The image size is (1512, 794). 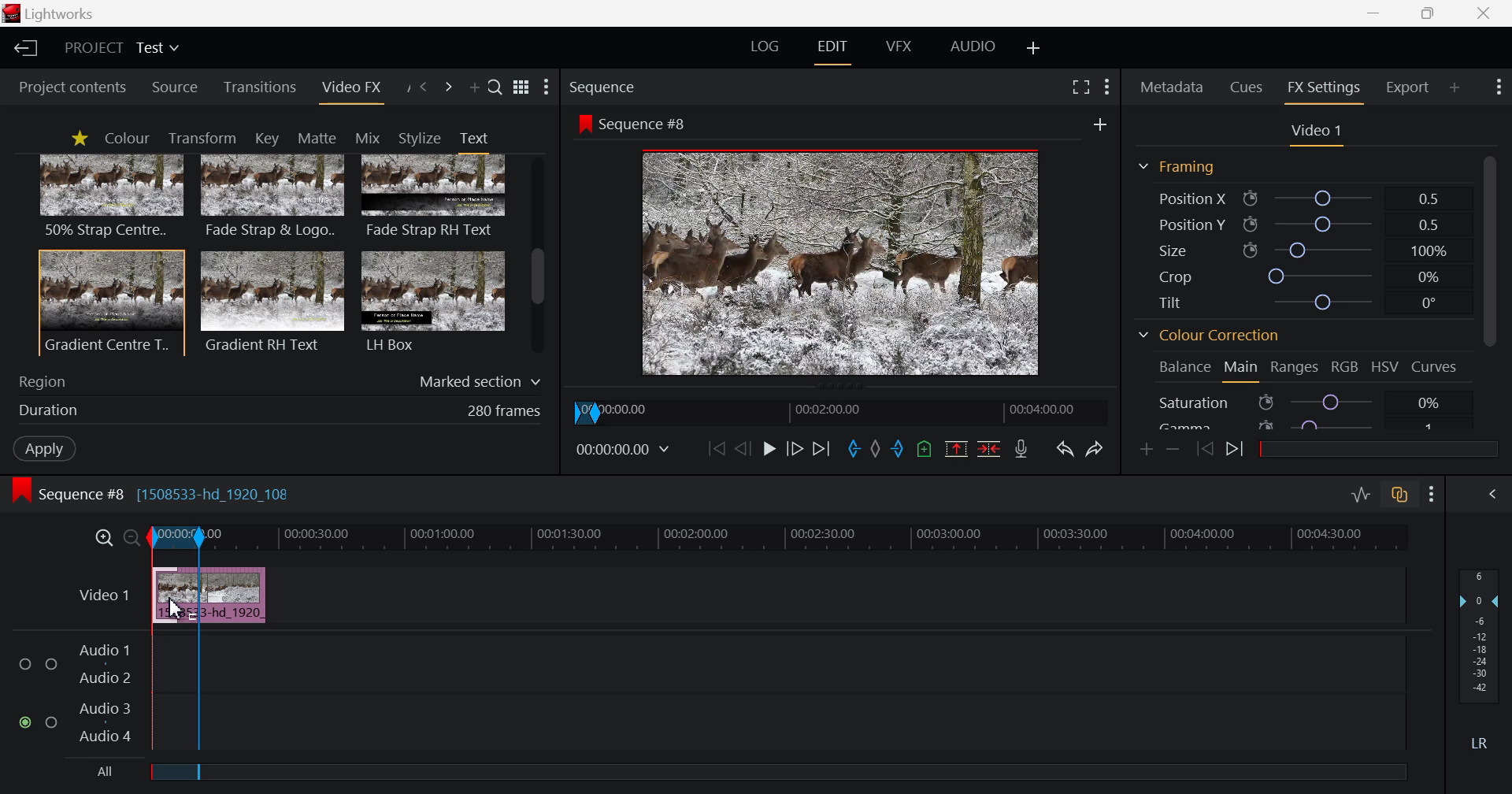 I want to click on Scroll Bar, so click(x=538, y=257).